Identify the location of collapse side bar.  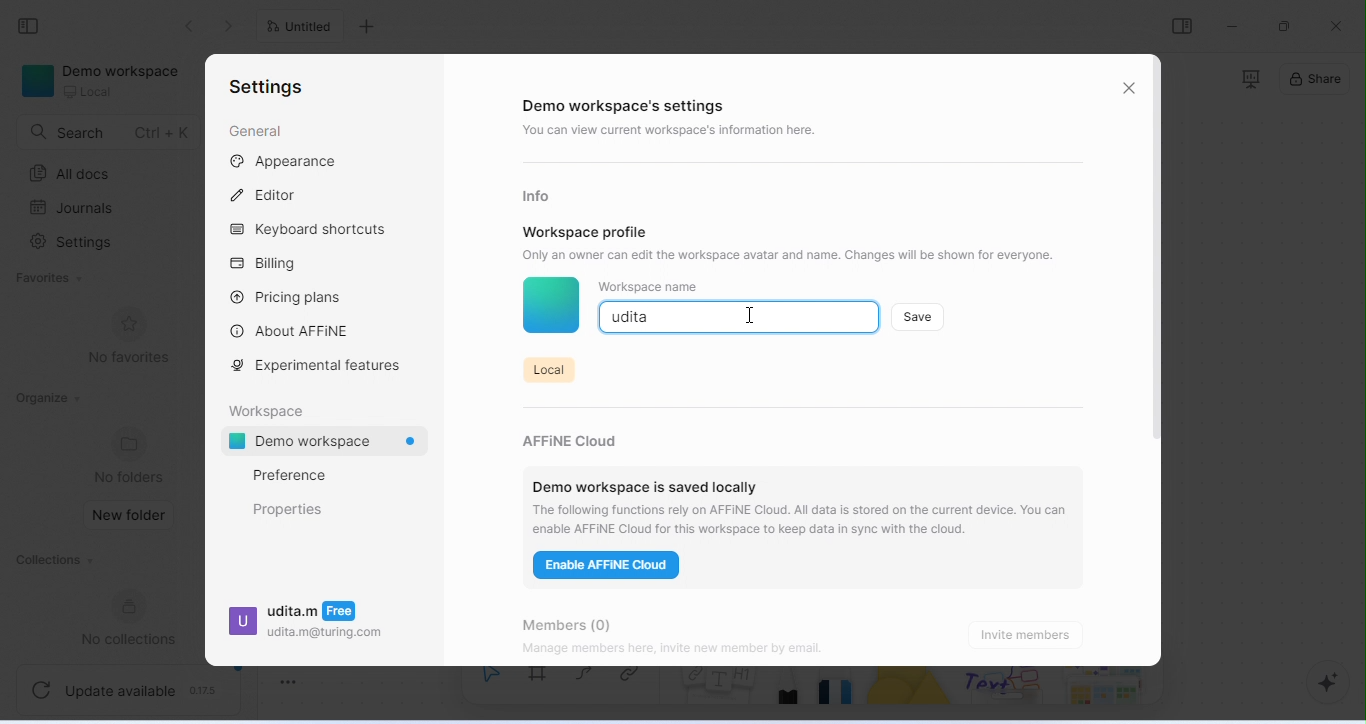
(34, 27).